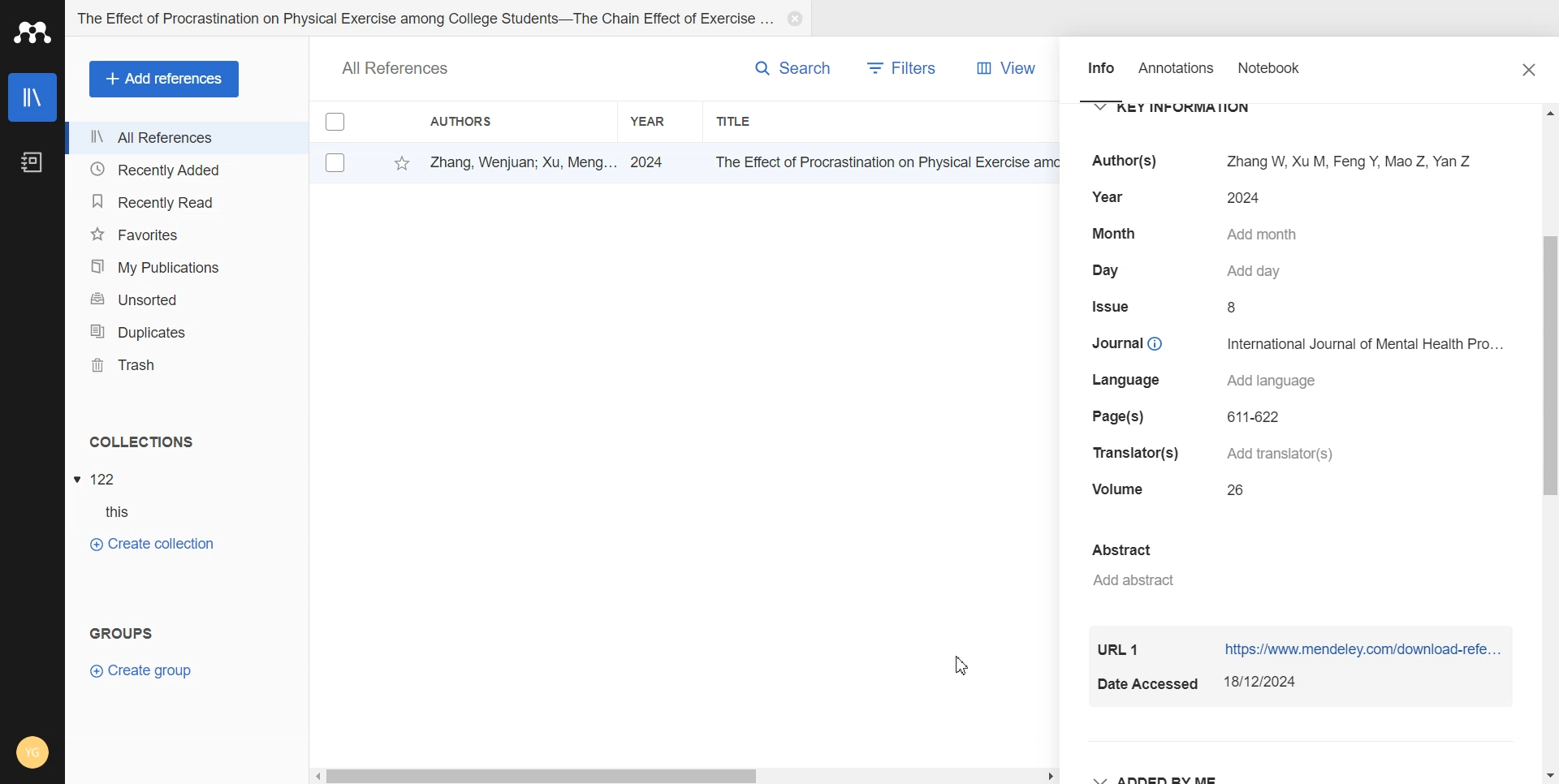 The height and width of the screenshot is (784, 1559). What do you see at coordinates (879, 162) in the screenshot?
I see `title` at bounding box center [879, 162].